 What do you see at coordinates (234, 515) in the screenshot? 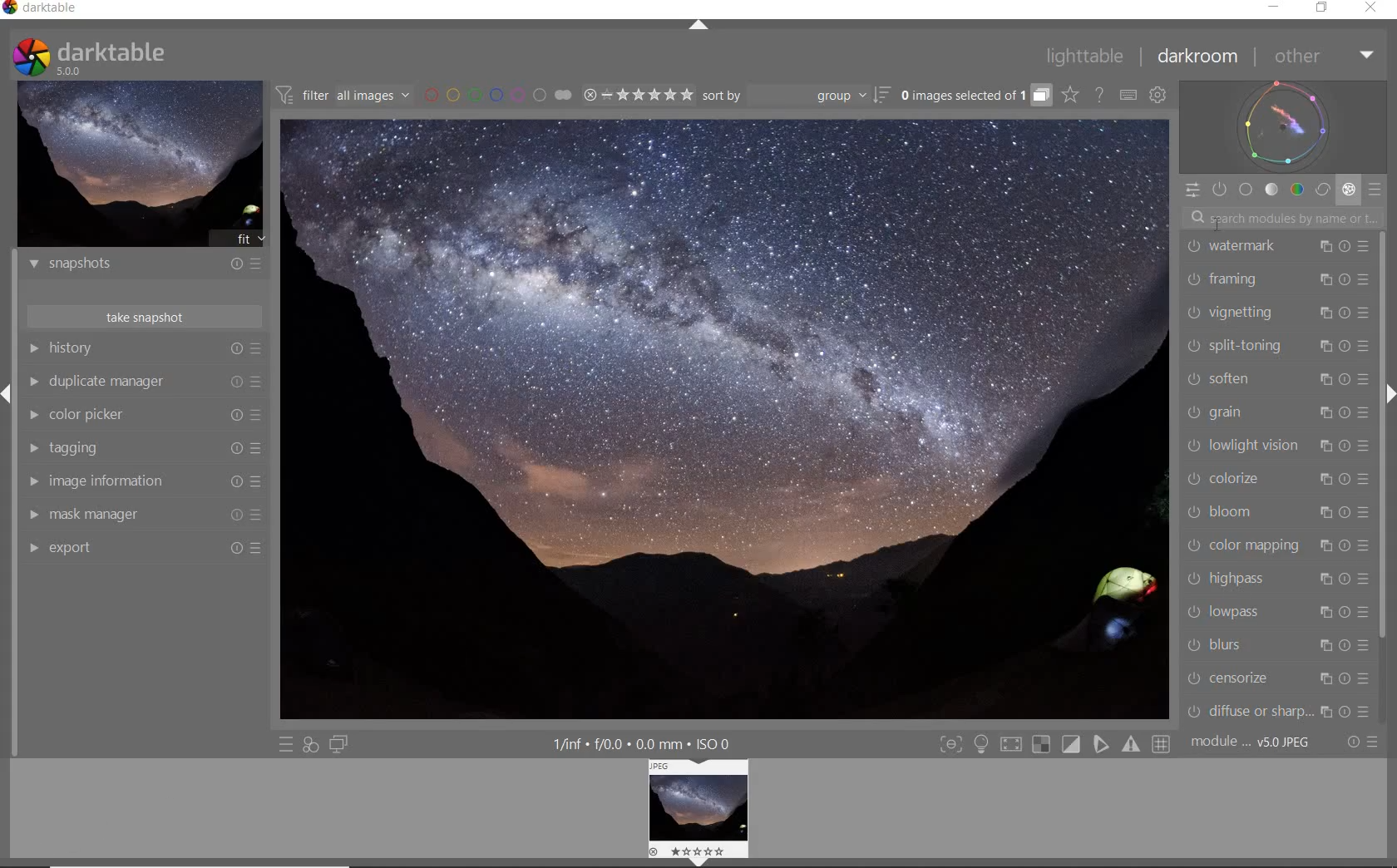
I see `Reset` at bounding box center [234, 515].